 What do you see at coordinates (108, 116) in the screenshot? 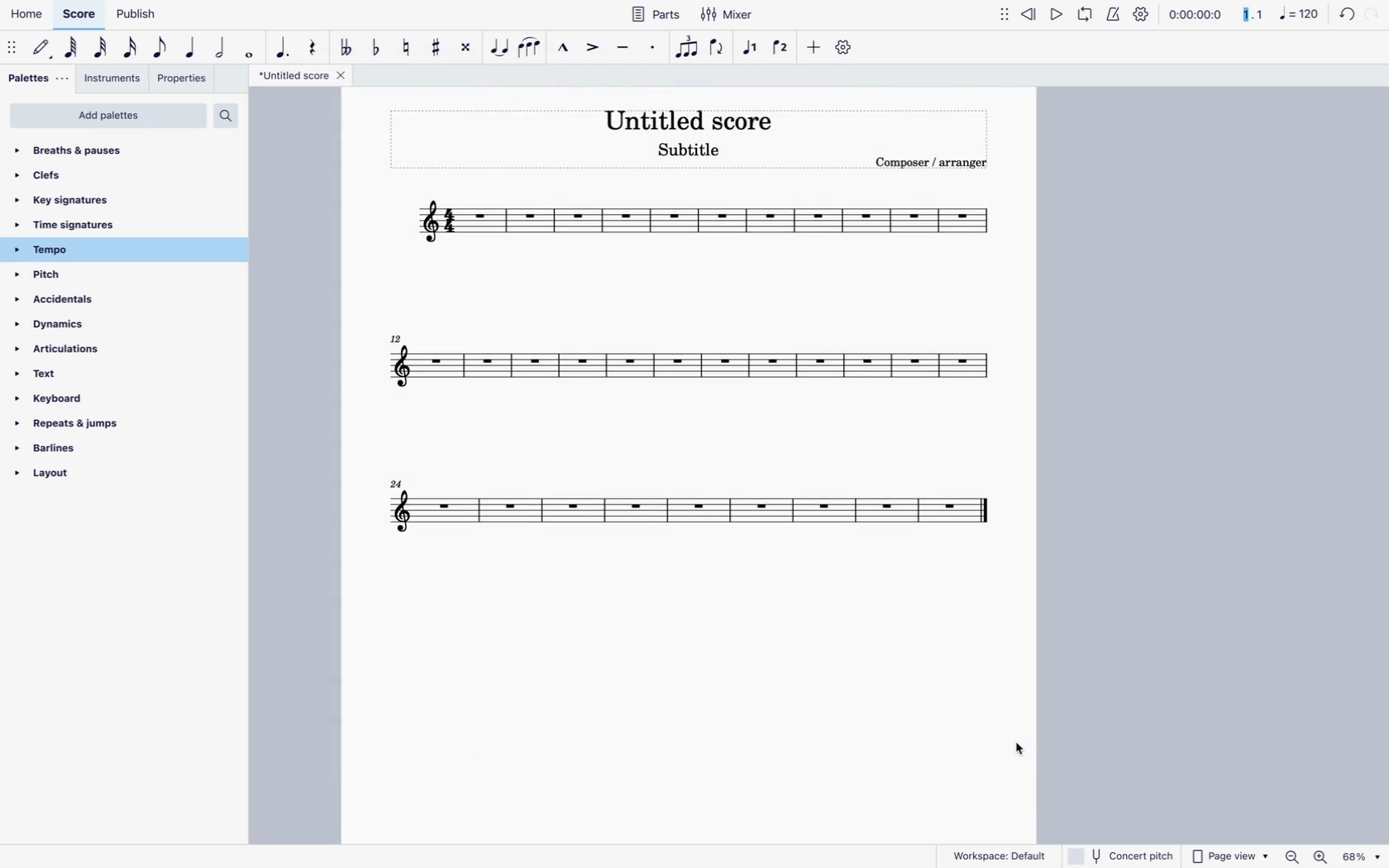
I see `add palettes` at bounding box center [108, 116].